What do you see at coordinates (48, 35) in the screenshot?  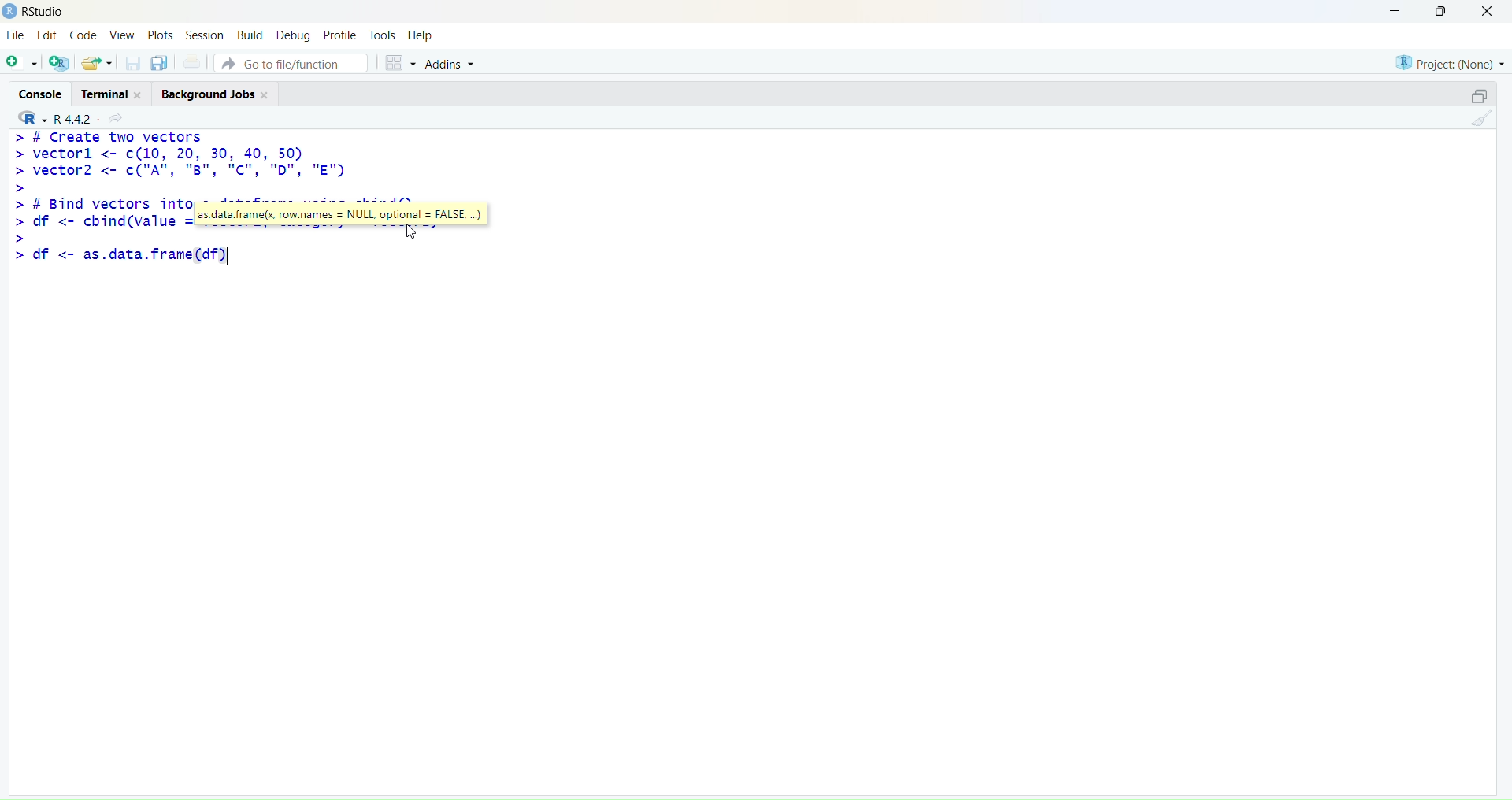 I see `Edit` at bounding box center [48, 35].